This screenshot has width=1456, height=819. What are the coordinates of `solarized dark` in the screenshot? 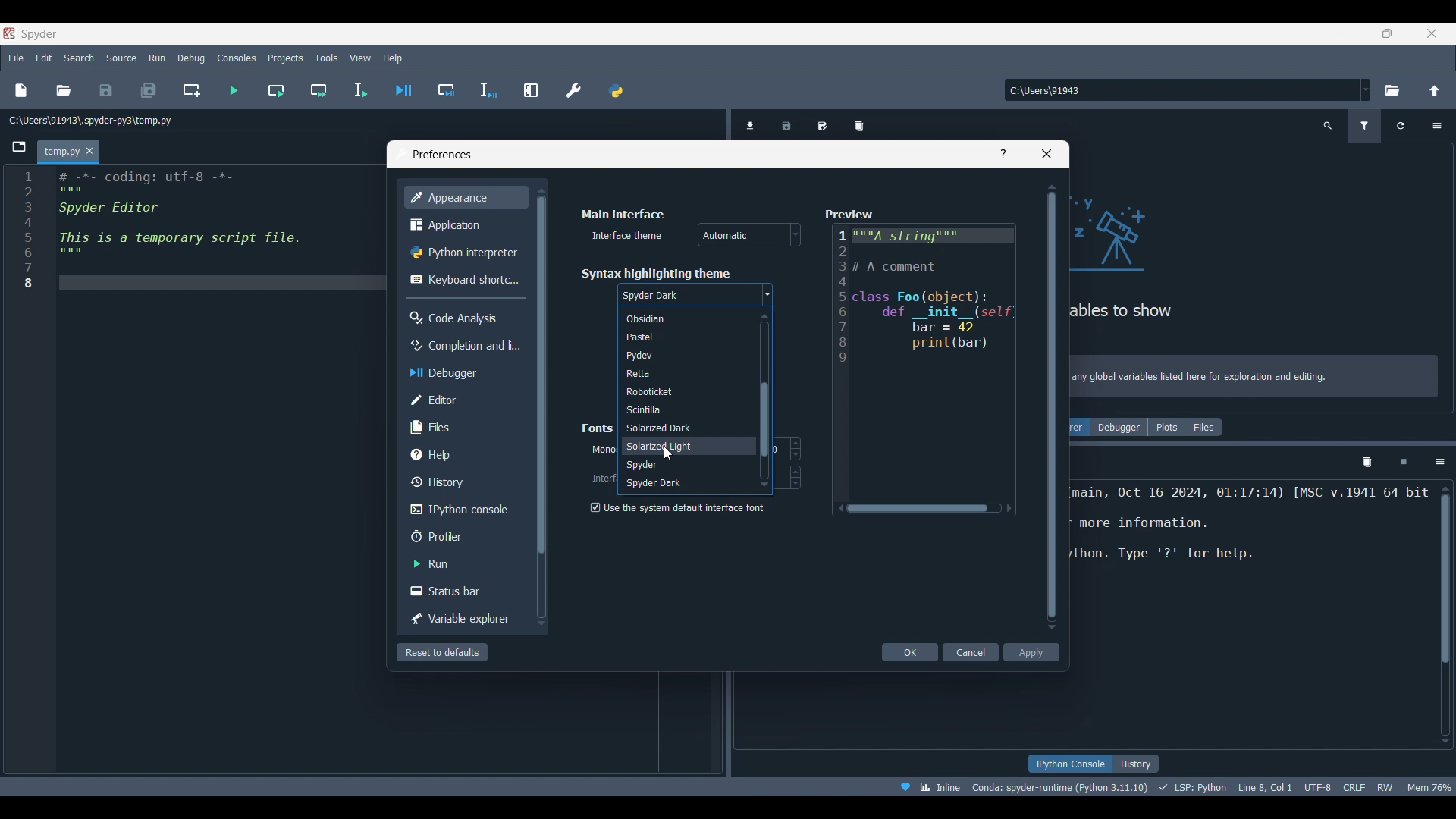 It's located at (679, 428).